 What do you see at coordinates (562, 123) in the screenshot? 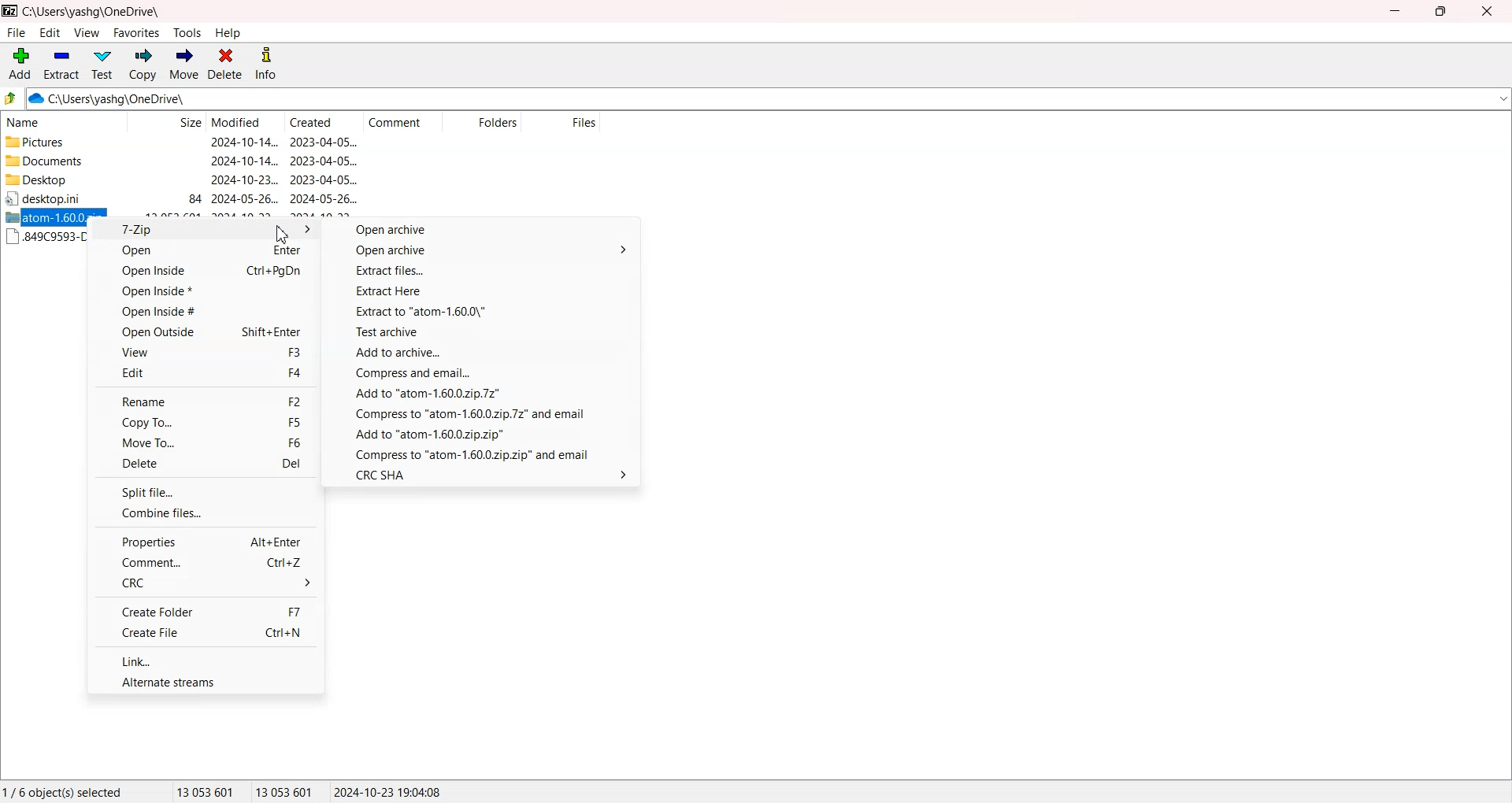
I see `Files` at bounding box center [562, 123].